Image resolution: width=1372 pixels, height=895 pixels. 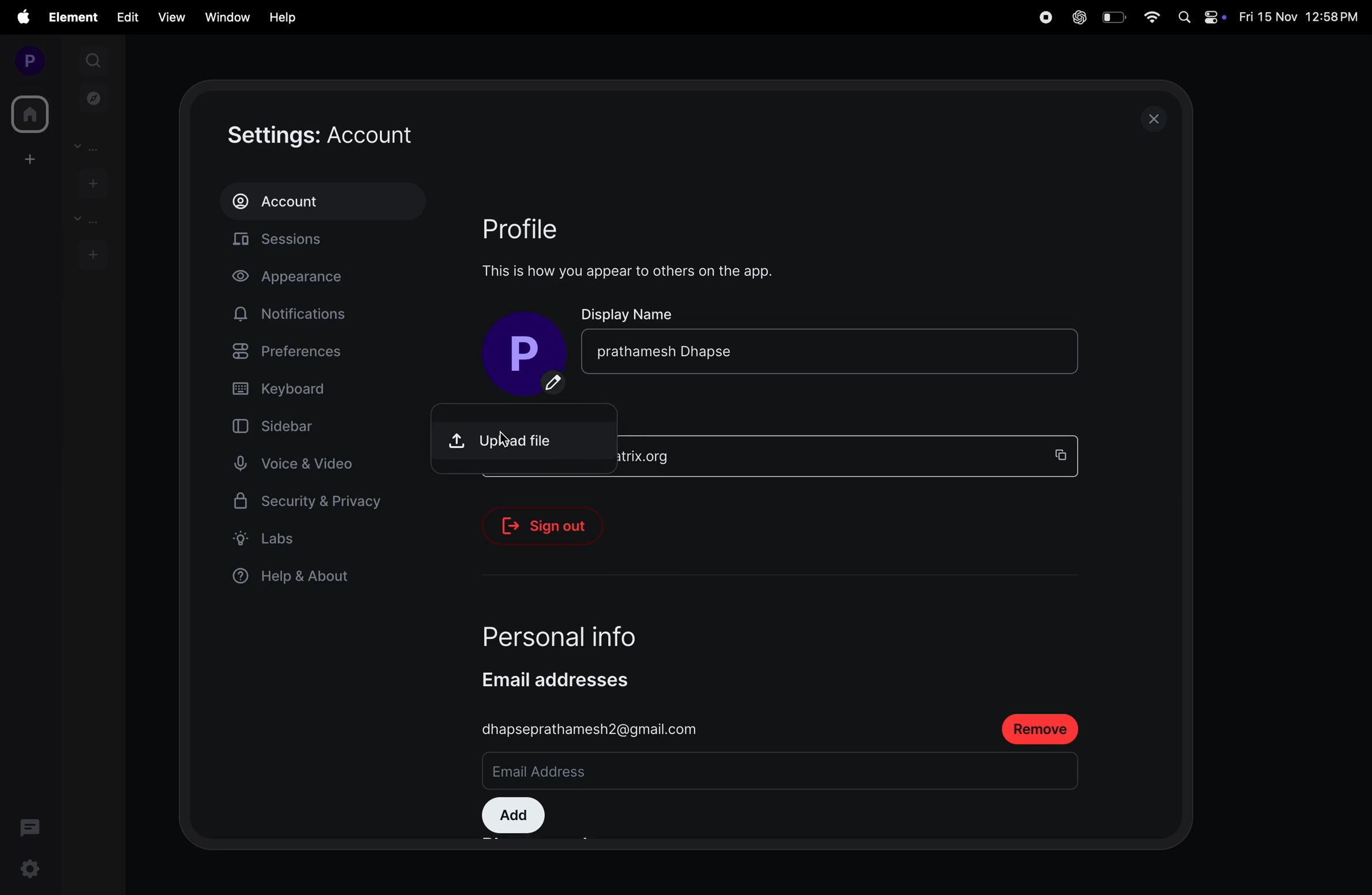 I want to click on window, so click(x=225, y=16).